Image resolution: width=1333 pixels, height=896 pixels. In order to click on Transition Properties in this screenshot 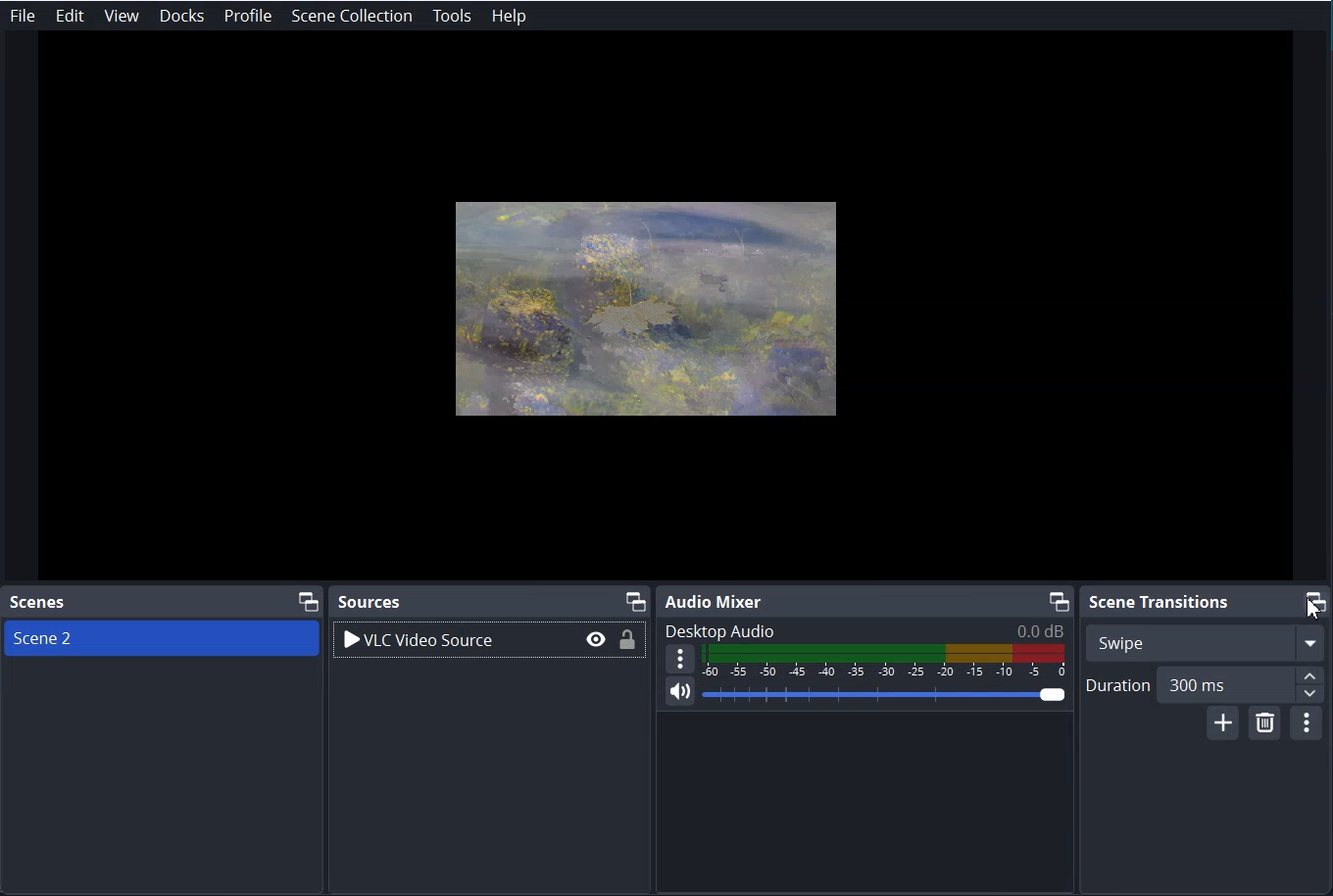, I will do `click(1313, 728)`.